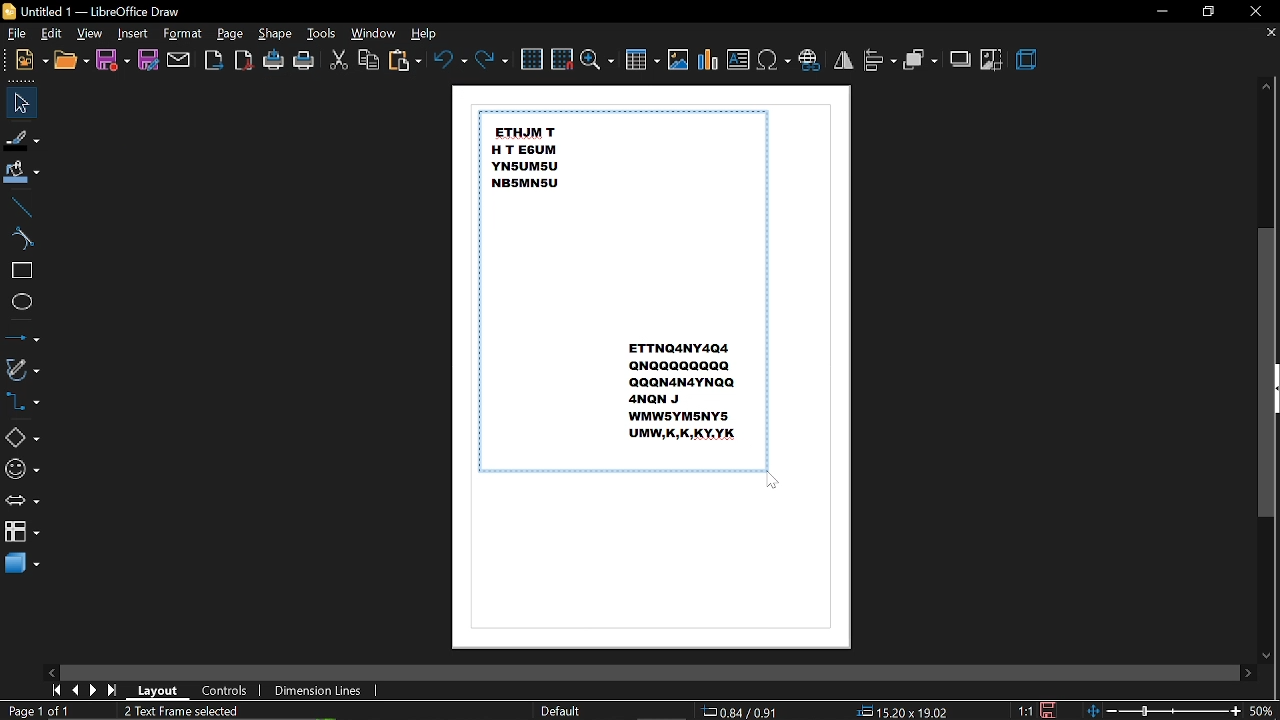 This screenshot has width=1280, height=720. I want to click on paste, so click(403, 61).